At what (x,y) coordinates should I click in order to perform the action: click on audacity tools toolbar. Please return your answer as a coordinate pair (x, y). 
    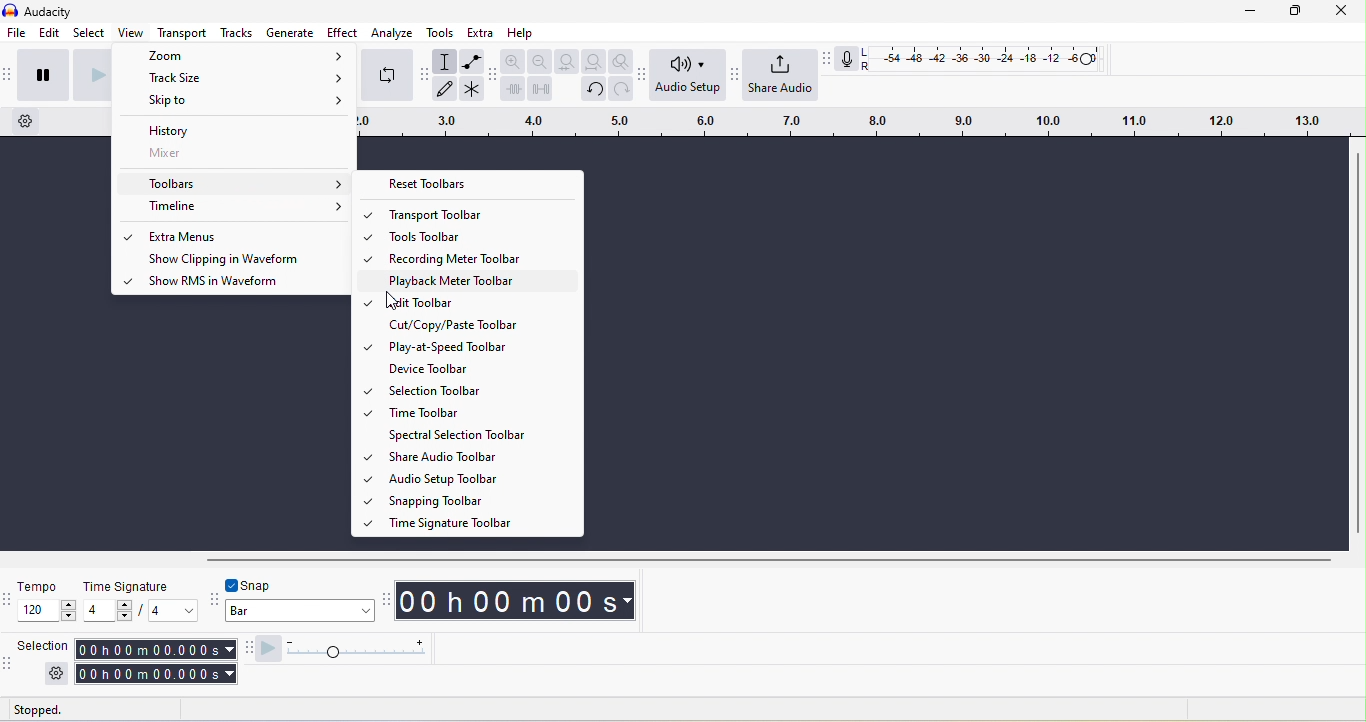
    Looking at the image, I should click on (424, 74).